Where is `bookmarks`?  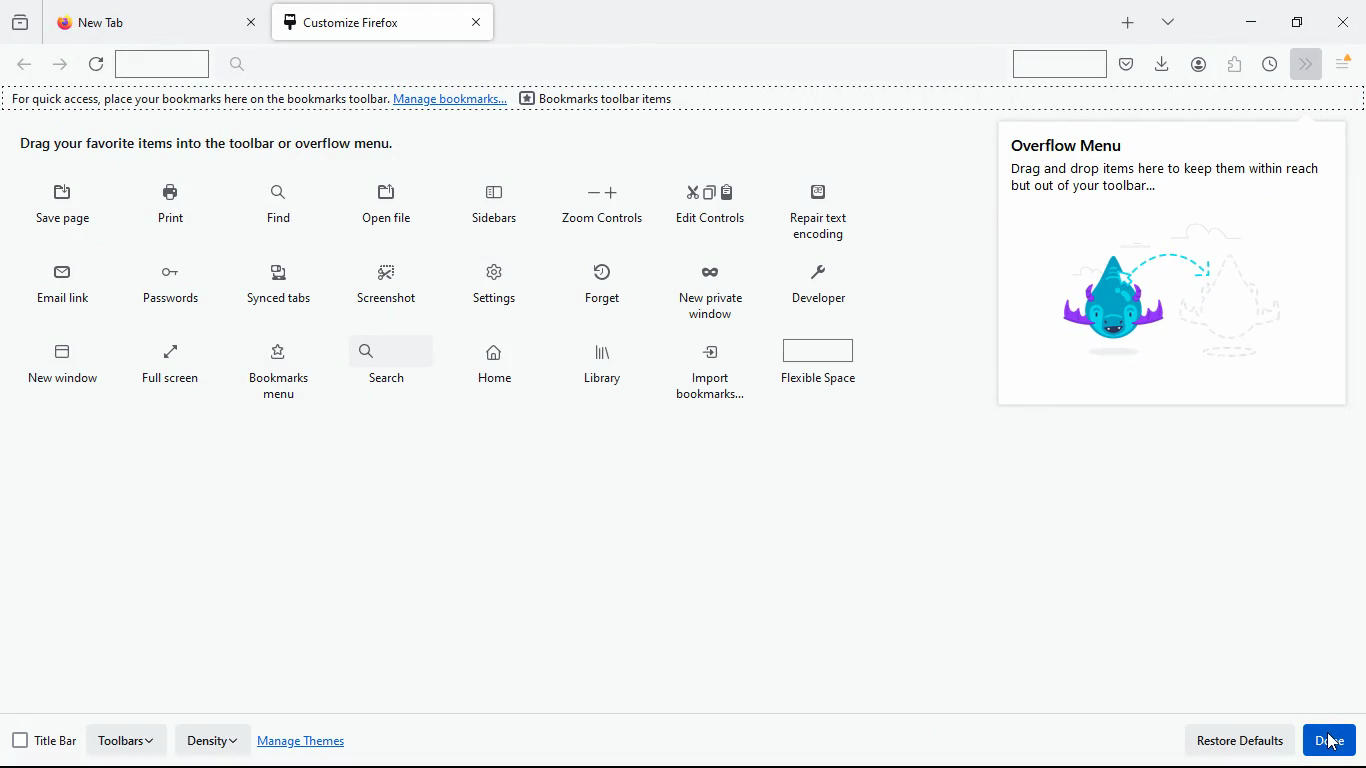
bookmarks is located at coordinates (393, 372).